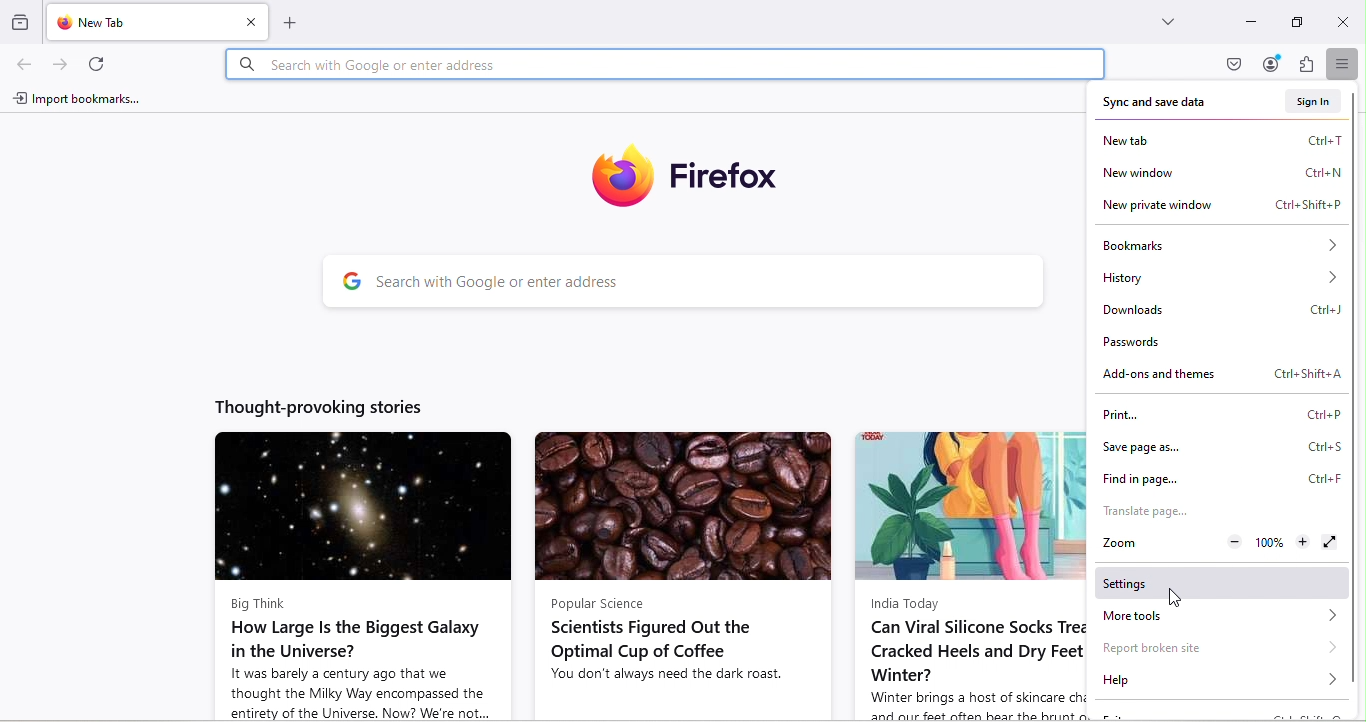 This screenshot has width=1366, height=722. I want to click on Translate page, so click(1160, 513).